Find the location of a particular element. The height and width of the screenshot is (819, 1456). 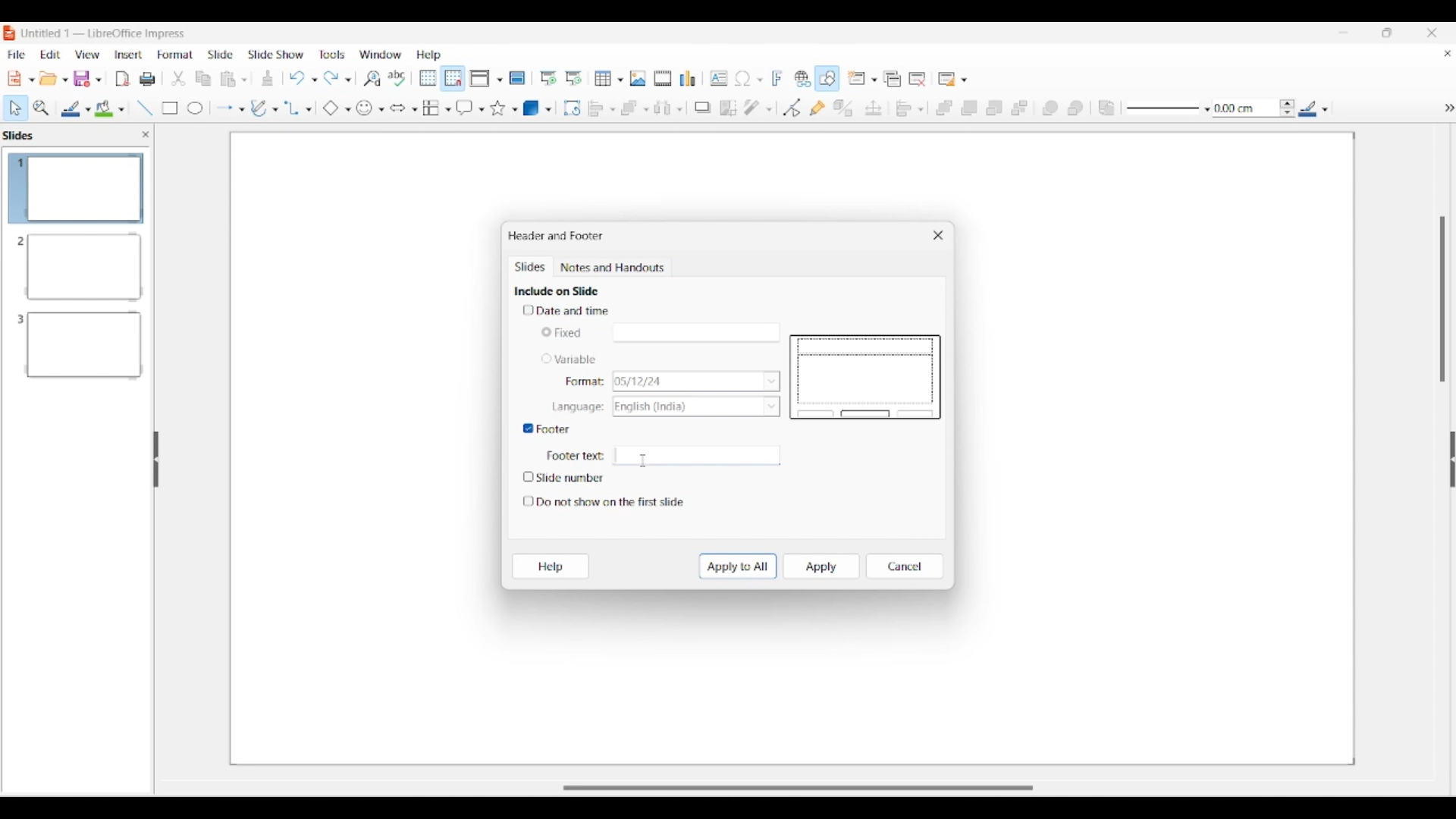

Toggle for variable is located at coordinates (567, 358).